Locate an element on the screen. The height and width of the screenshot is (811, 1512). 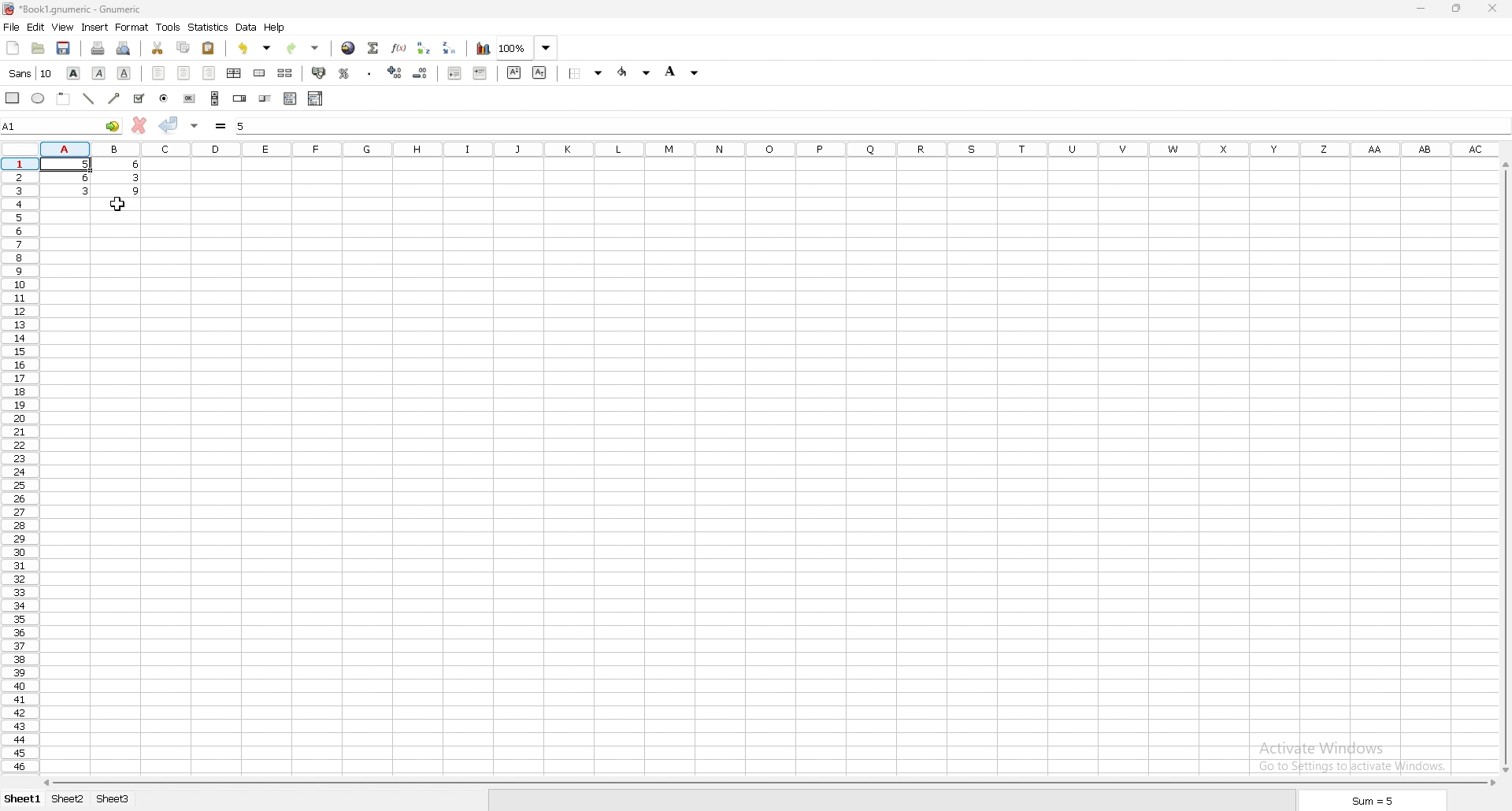
chart is located at coordinates (483, 47).